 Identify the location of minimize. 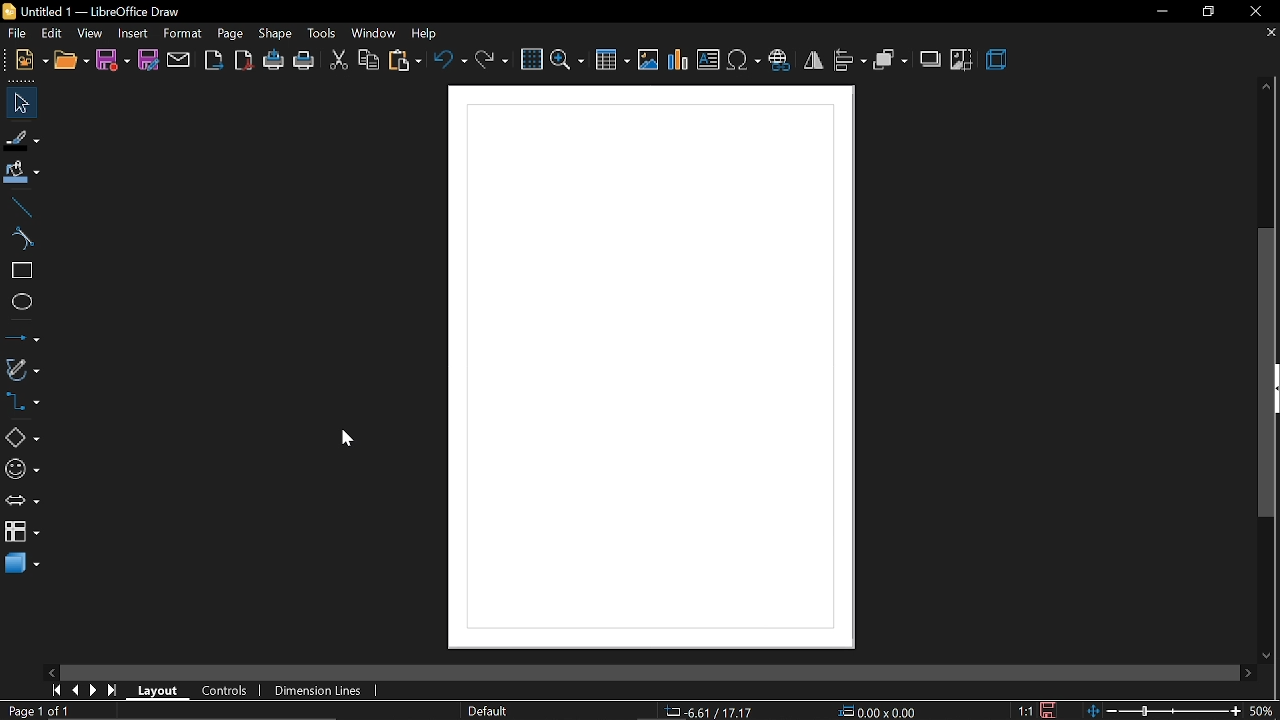
(1161, 12).